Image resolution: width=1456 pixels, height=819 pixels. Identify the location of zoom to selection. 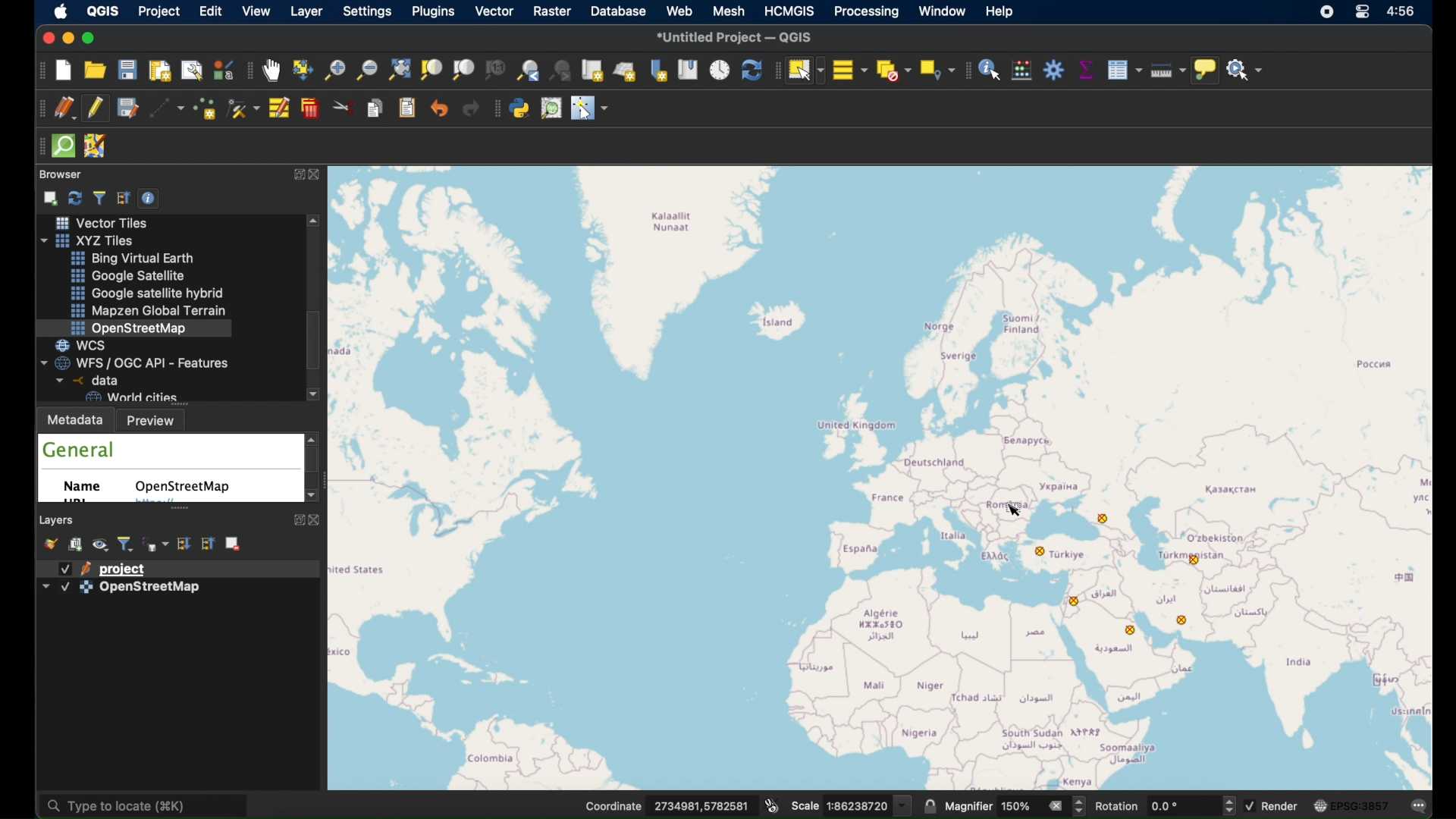
(435, 70).